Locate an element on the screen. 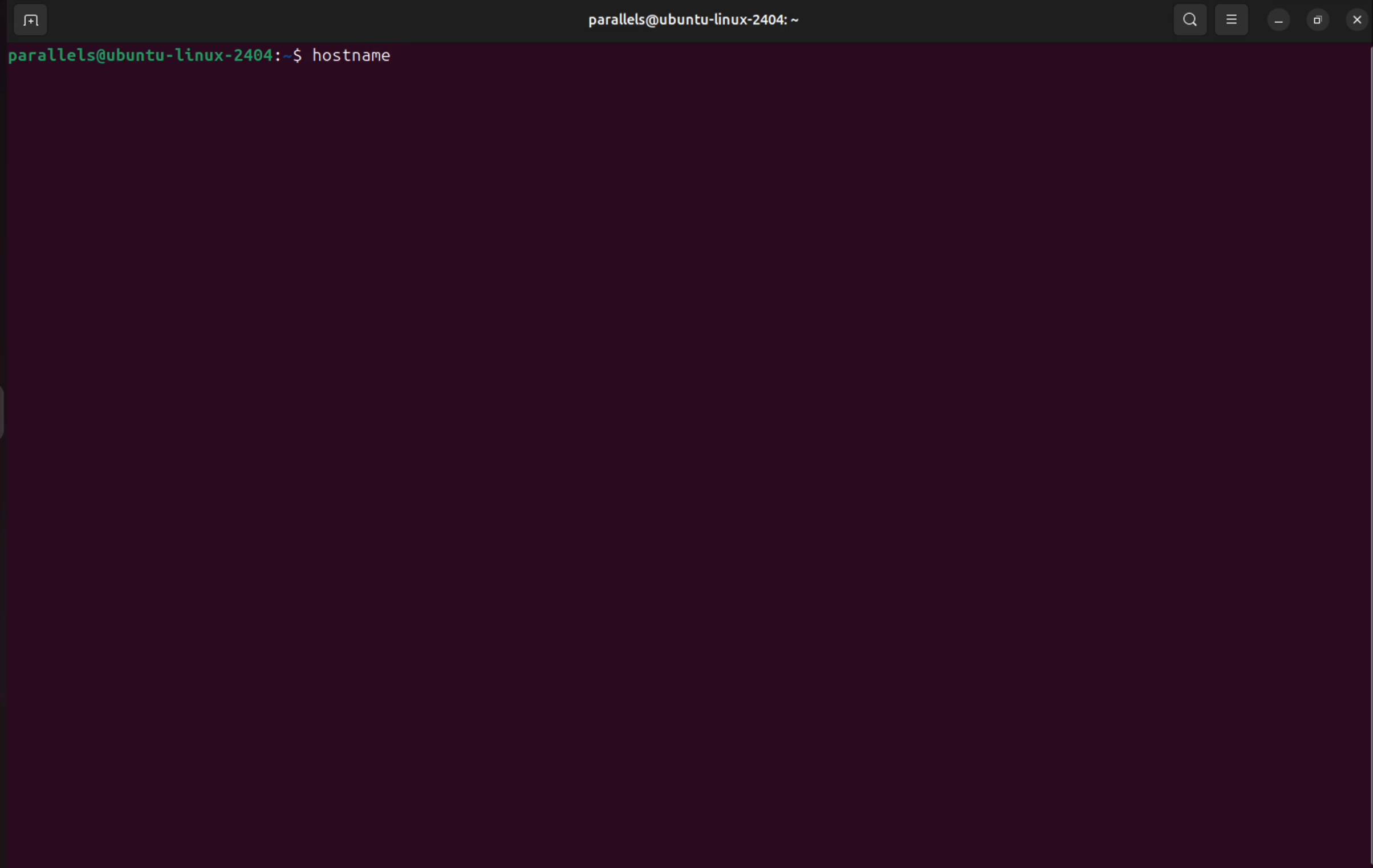  parallels@ubuntu-linux-2404: ~ is located at coordinates (701, 25).